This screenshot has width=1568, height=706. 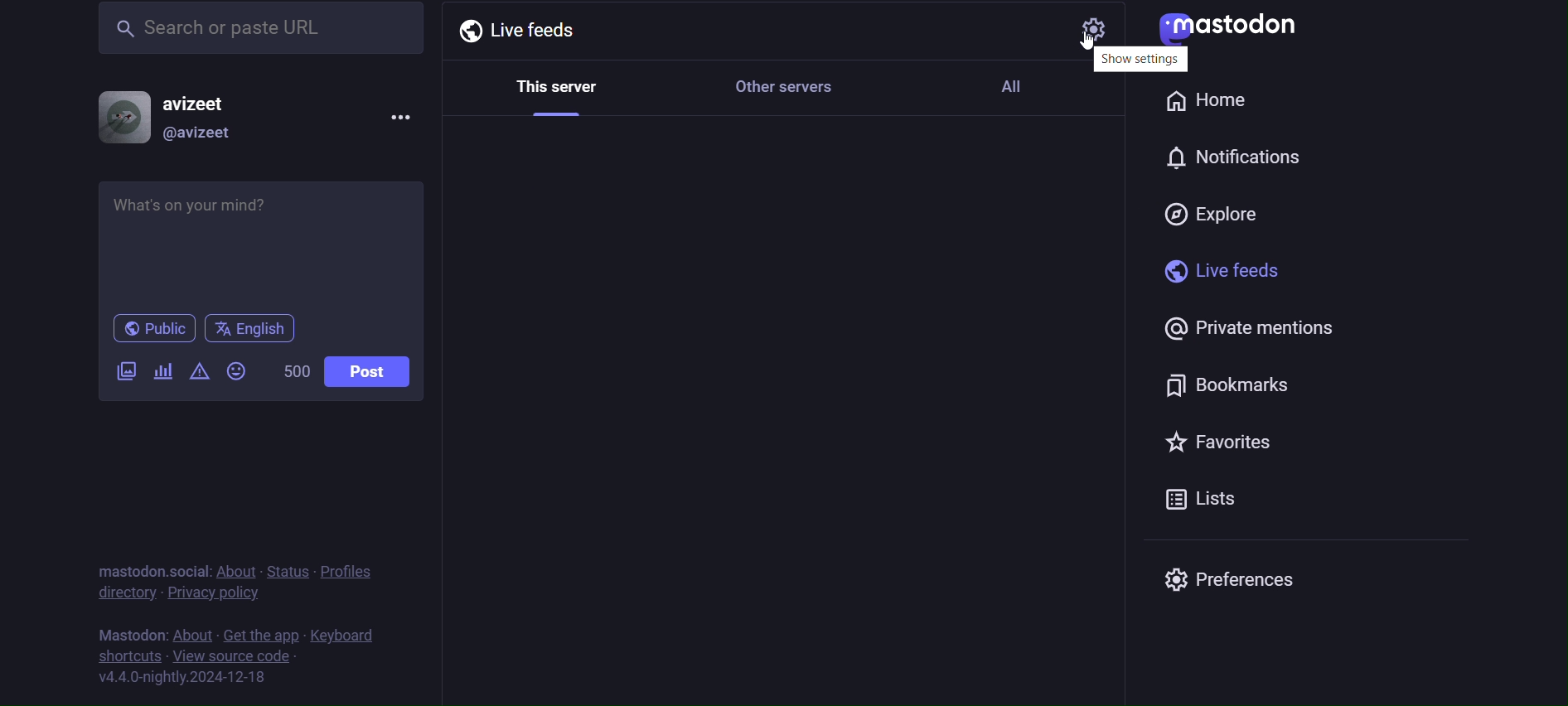 I want to click on search, so click(x=255, y=33).